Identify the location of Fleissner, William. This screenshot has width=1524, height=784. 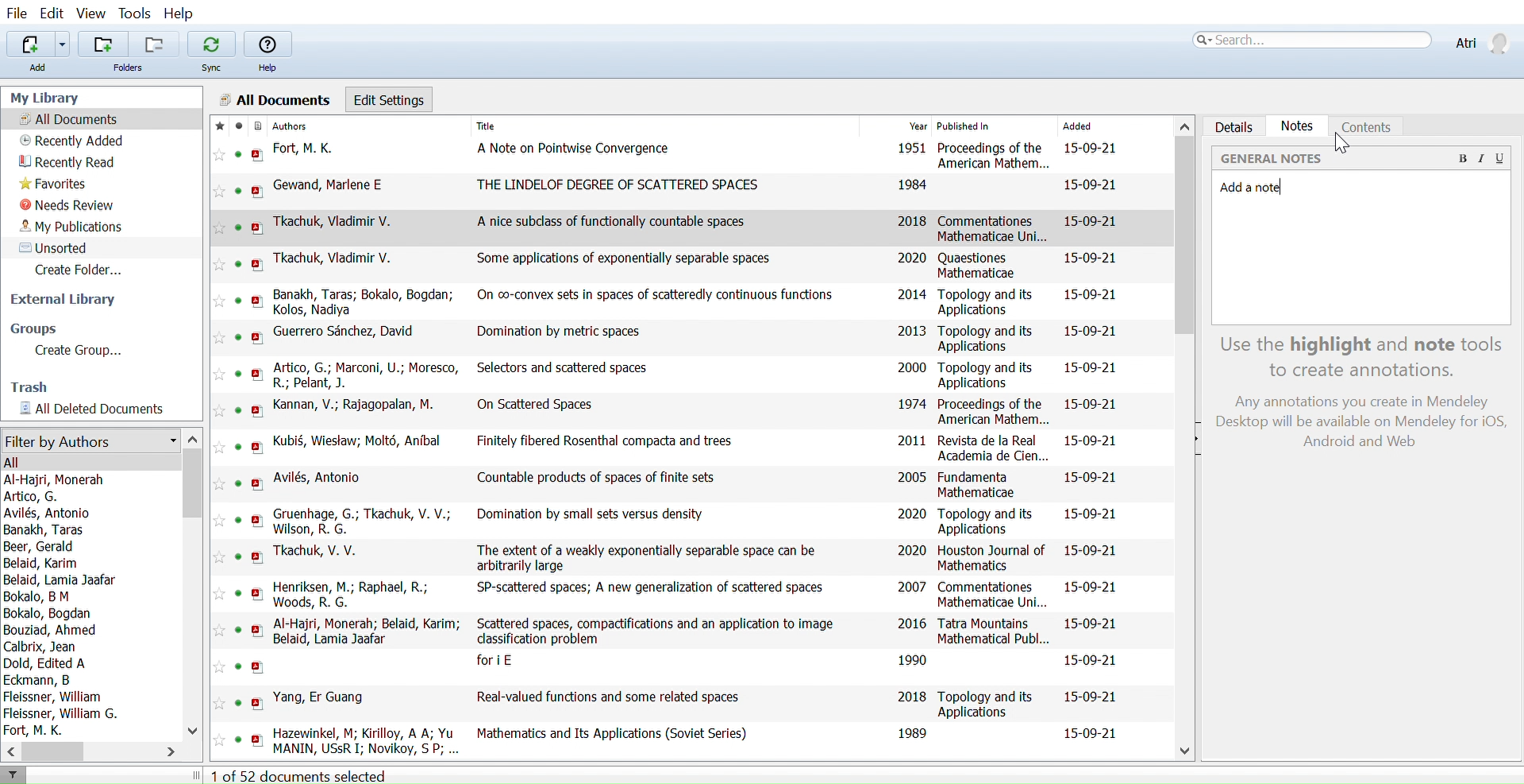
(53, 697).